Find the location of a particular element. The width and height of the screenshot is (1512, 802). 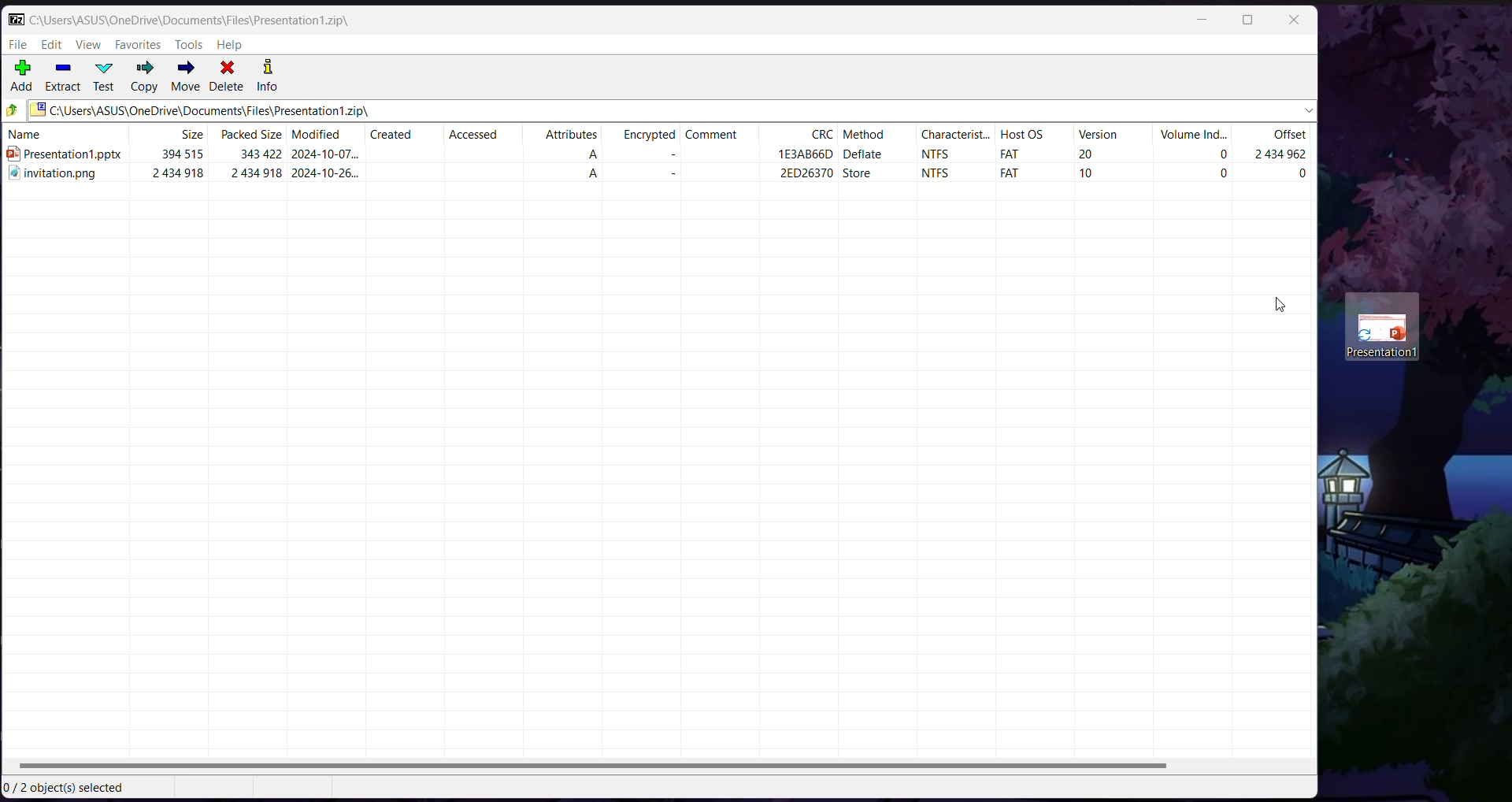

—deflate is located at coordinates (875, 155).